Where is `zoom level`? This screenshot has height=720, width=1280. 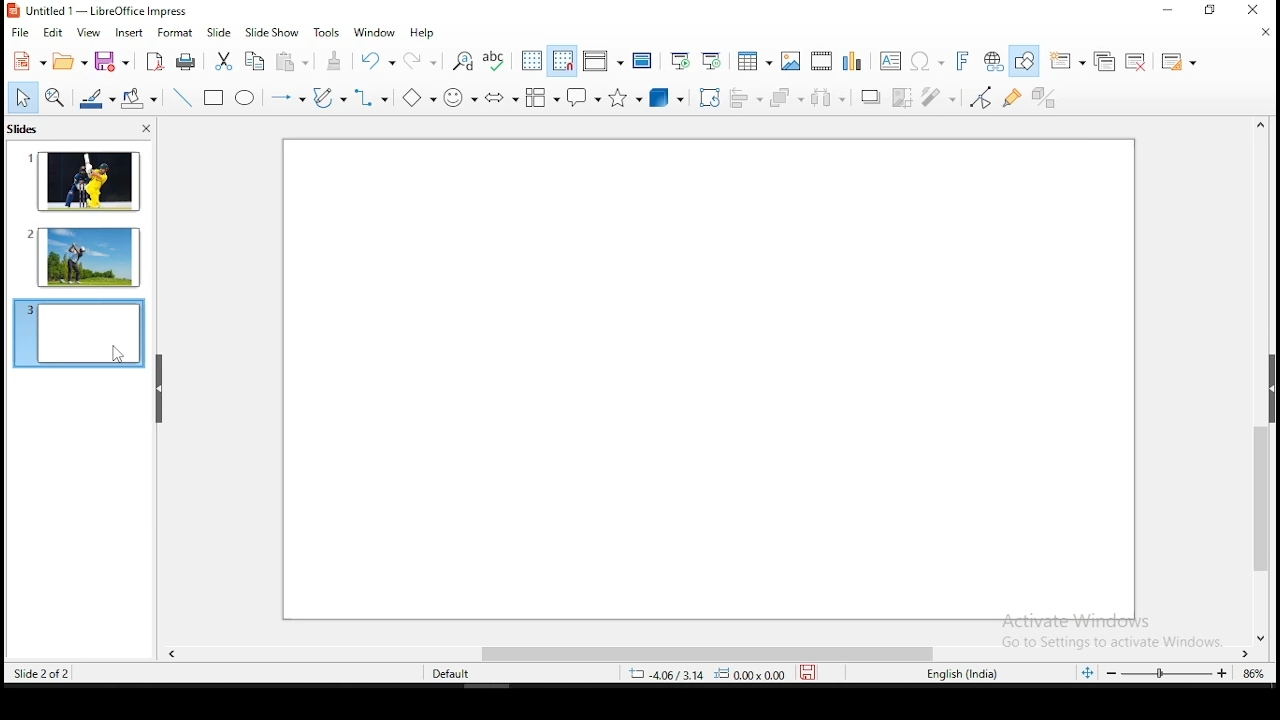 zoom level is located at coordinates (1255, 676).